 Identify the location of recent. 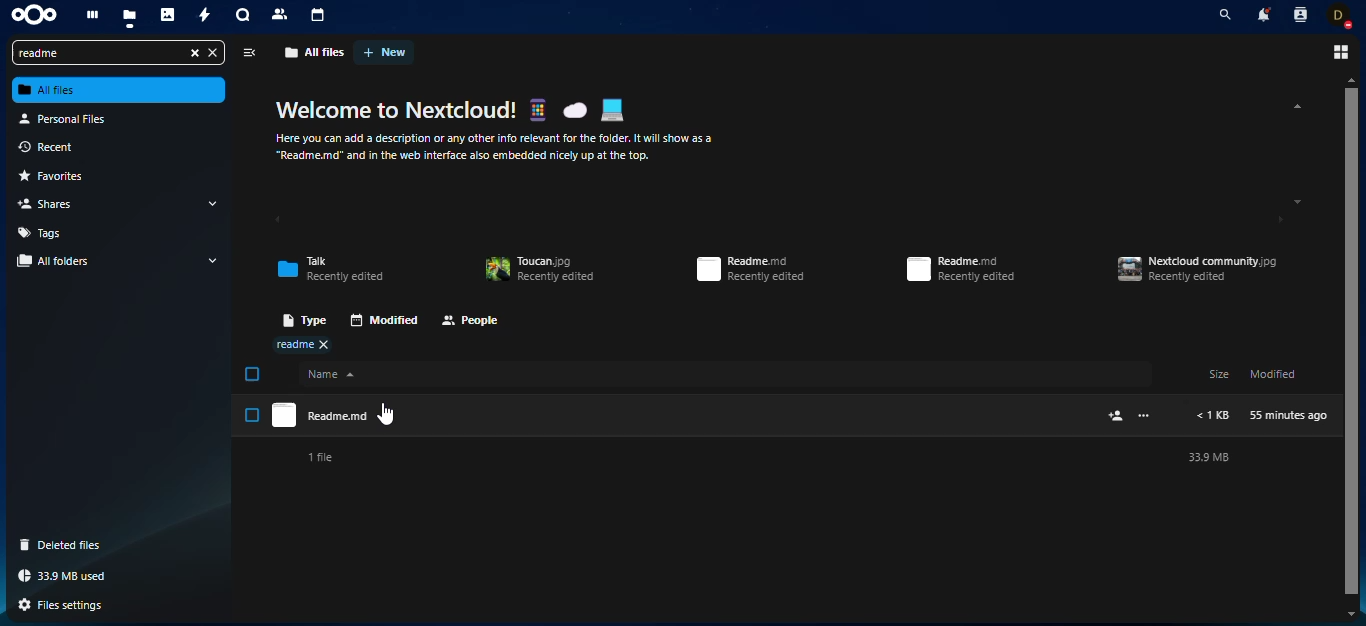
(59, 148).